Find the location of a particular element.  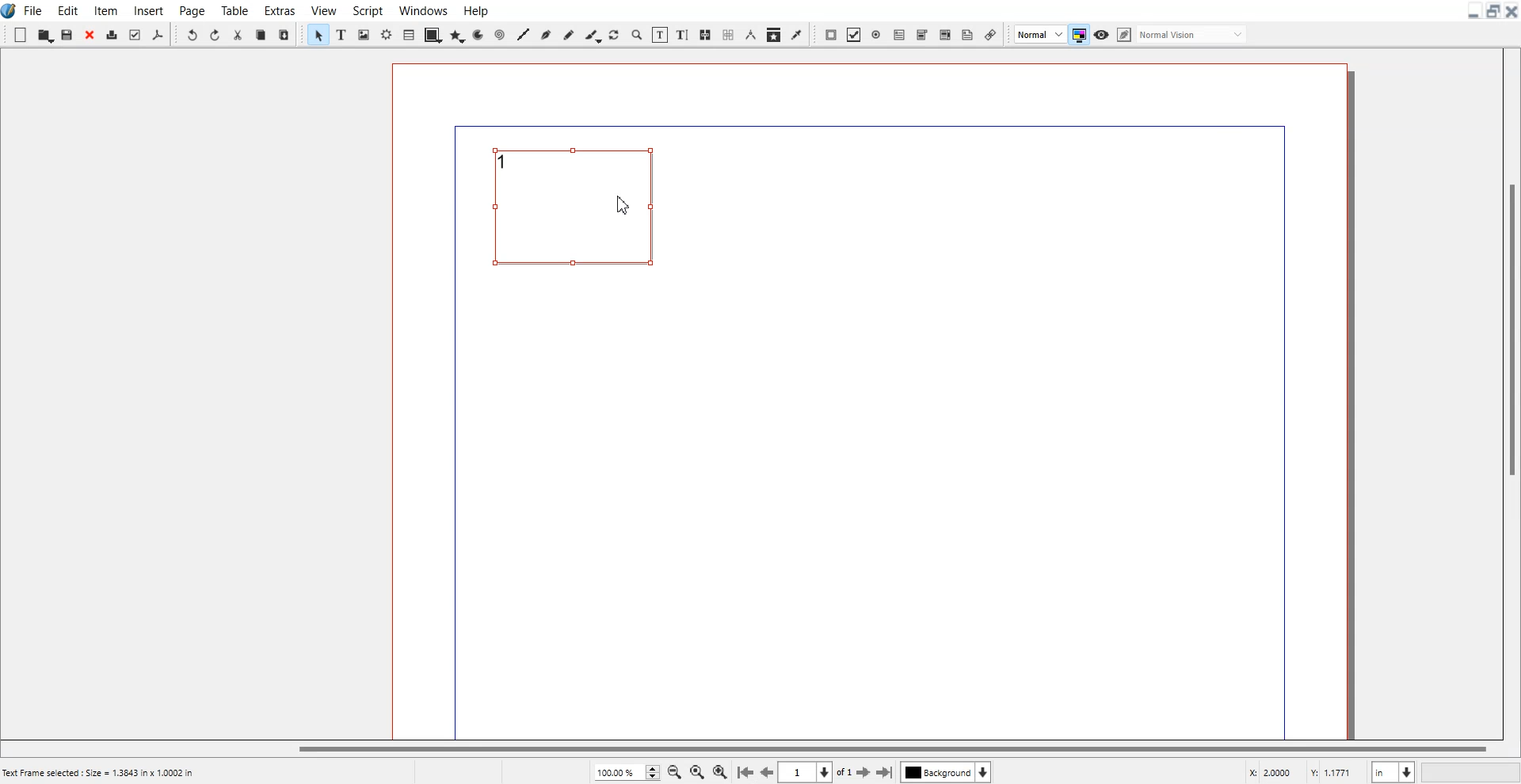

Go to the next page is located at coordinates (863, 773).